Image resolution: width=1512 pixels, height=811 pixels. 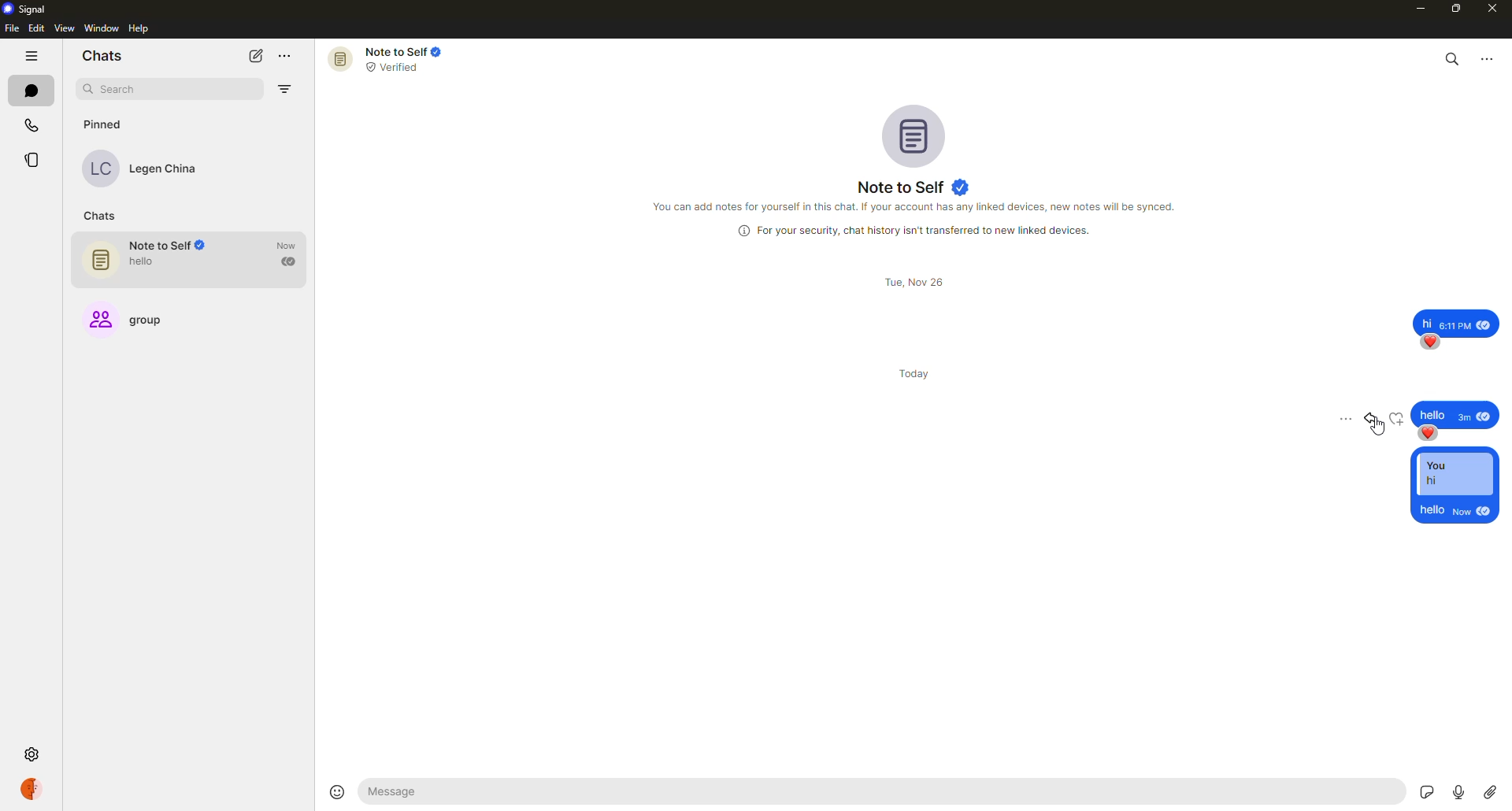 What do you see at coordinates (1457, 414) in the screenshot?
I see `message` at bounding box center [1457, 414].